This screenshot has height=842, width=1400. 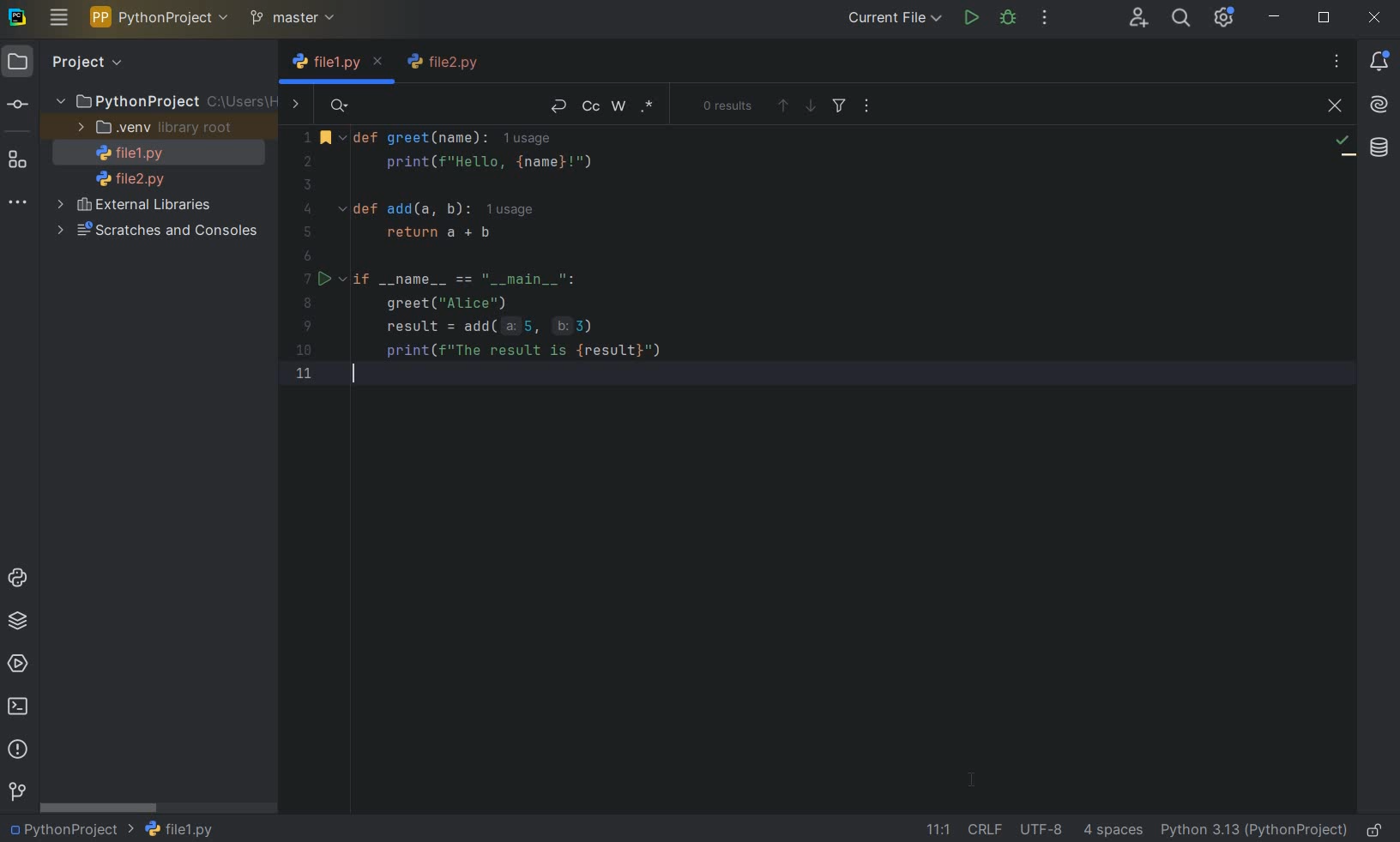 What do you see at coordinates (337, 62) in the screenshot?
I see `FILE NAME 1` at bounding box center [337, 62].